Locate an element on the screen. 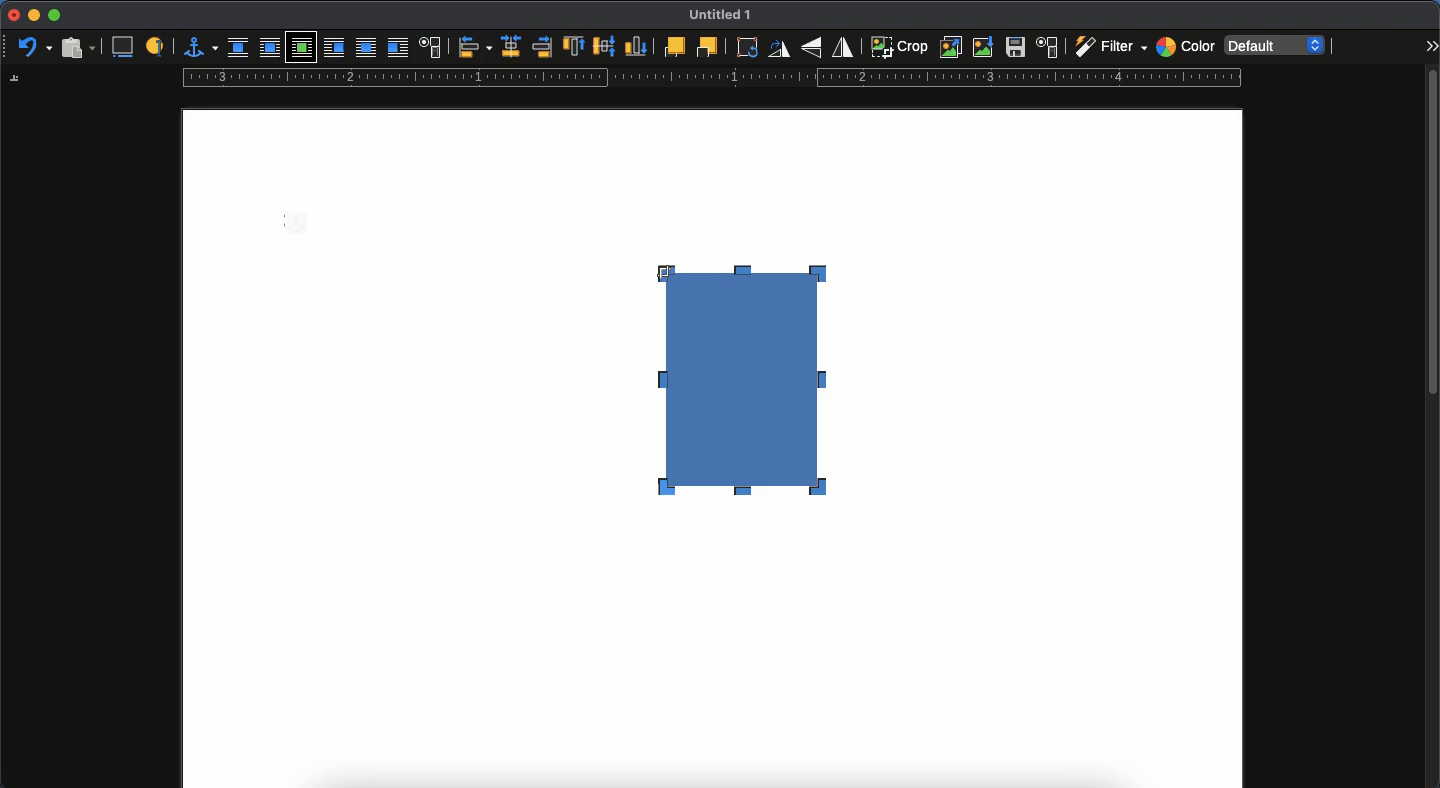 This screenshot has height=788, width=1440. maximize is located at coordinates (54, 16).